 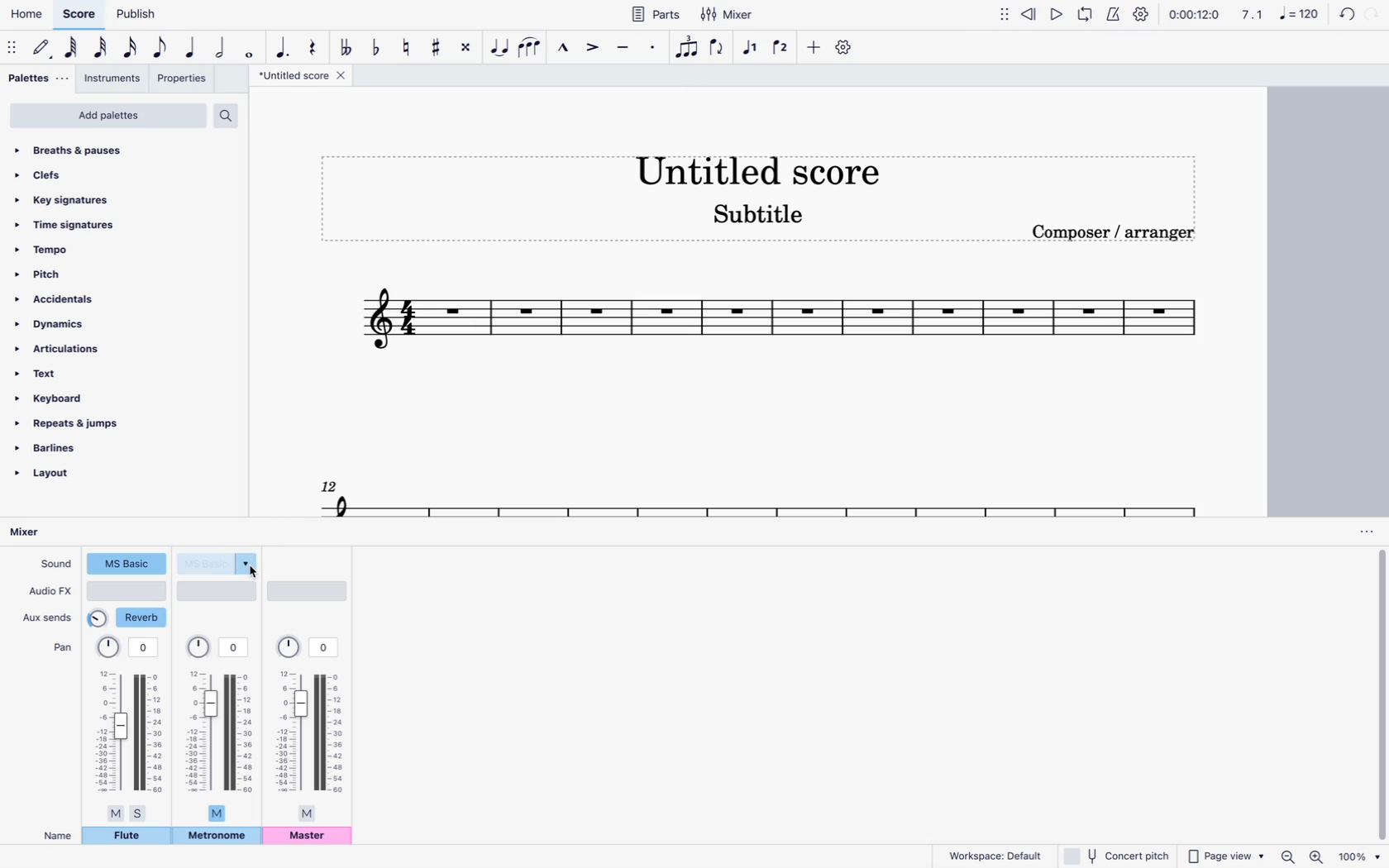 I want to click on home, so click(x=26, y=17).